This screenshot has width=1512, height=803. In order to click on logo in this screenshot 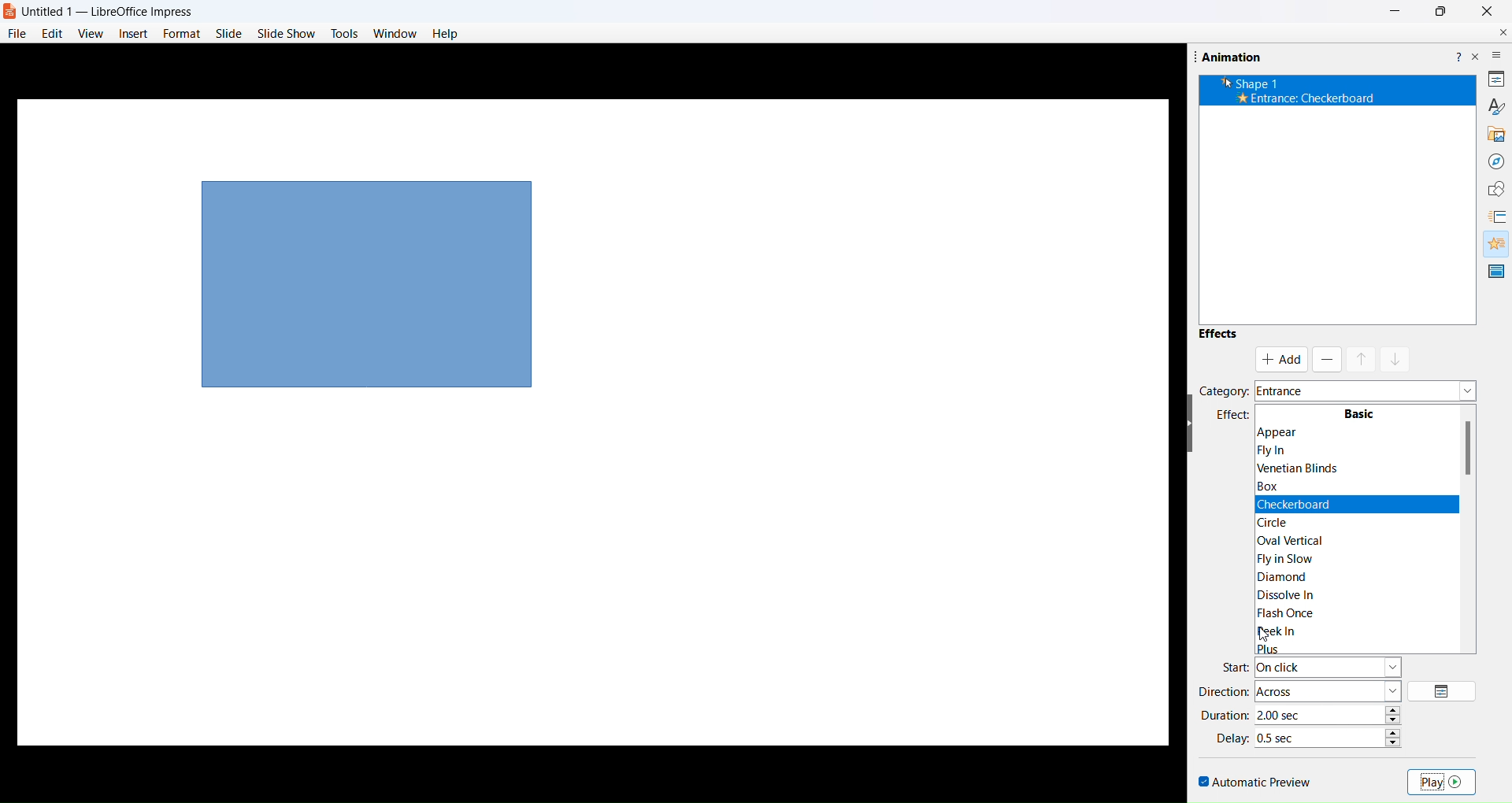, I will do `click(12, 13)`.